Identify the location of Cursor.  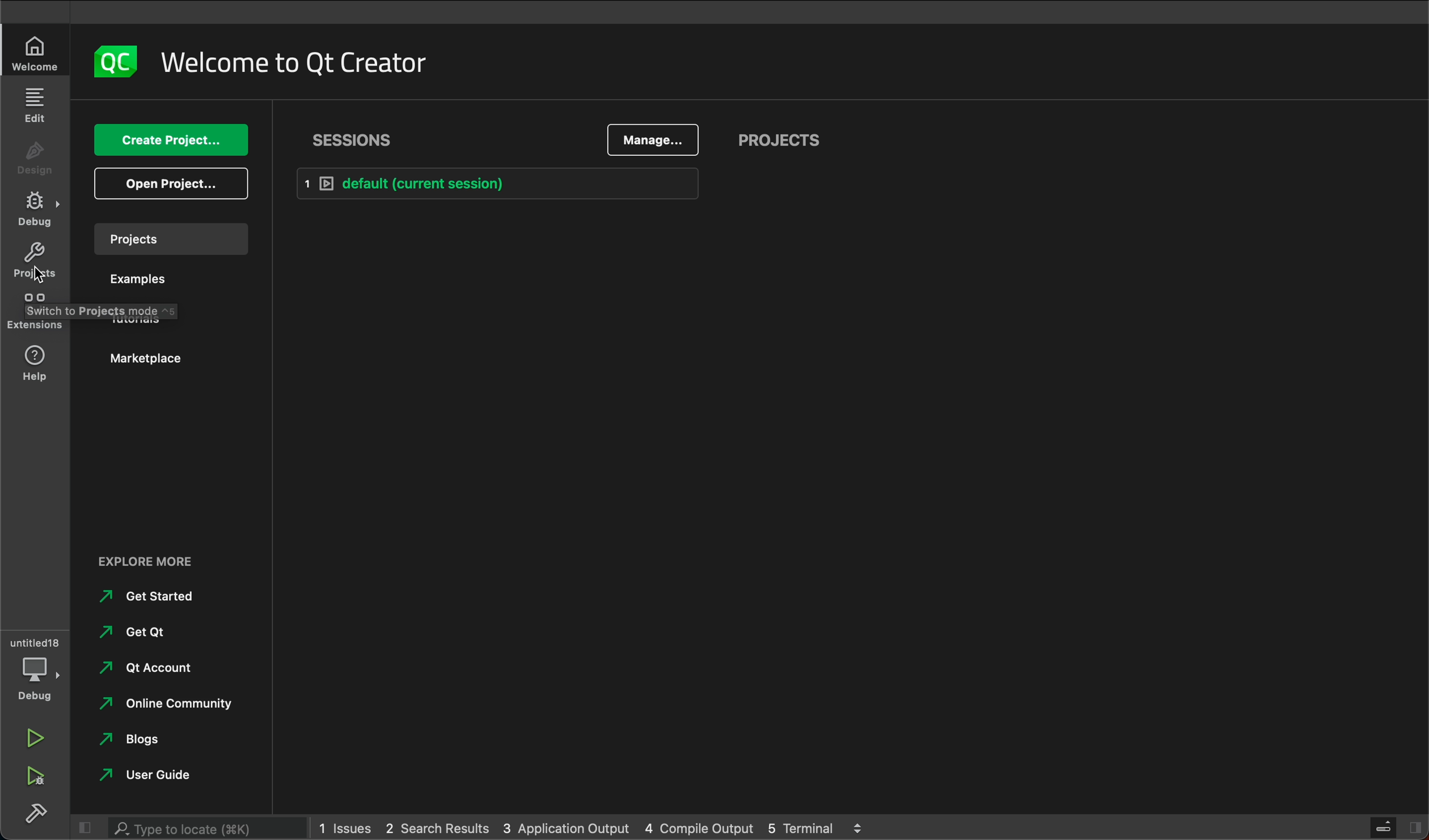
(39, 275).